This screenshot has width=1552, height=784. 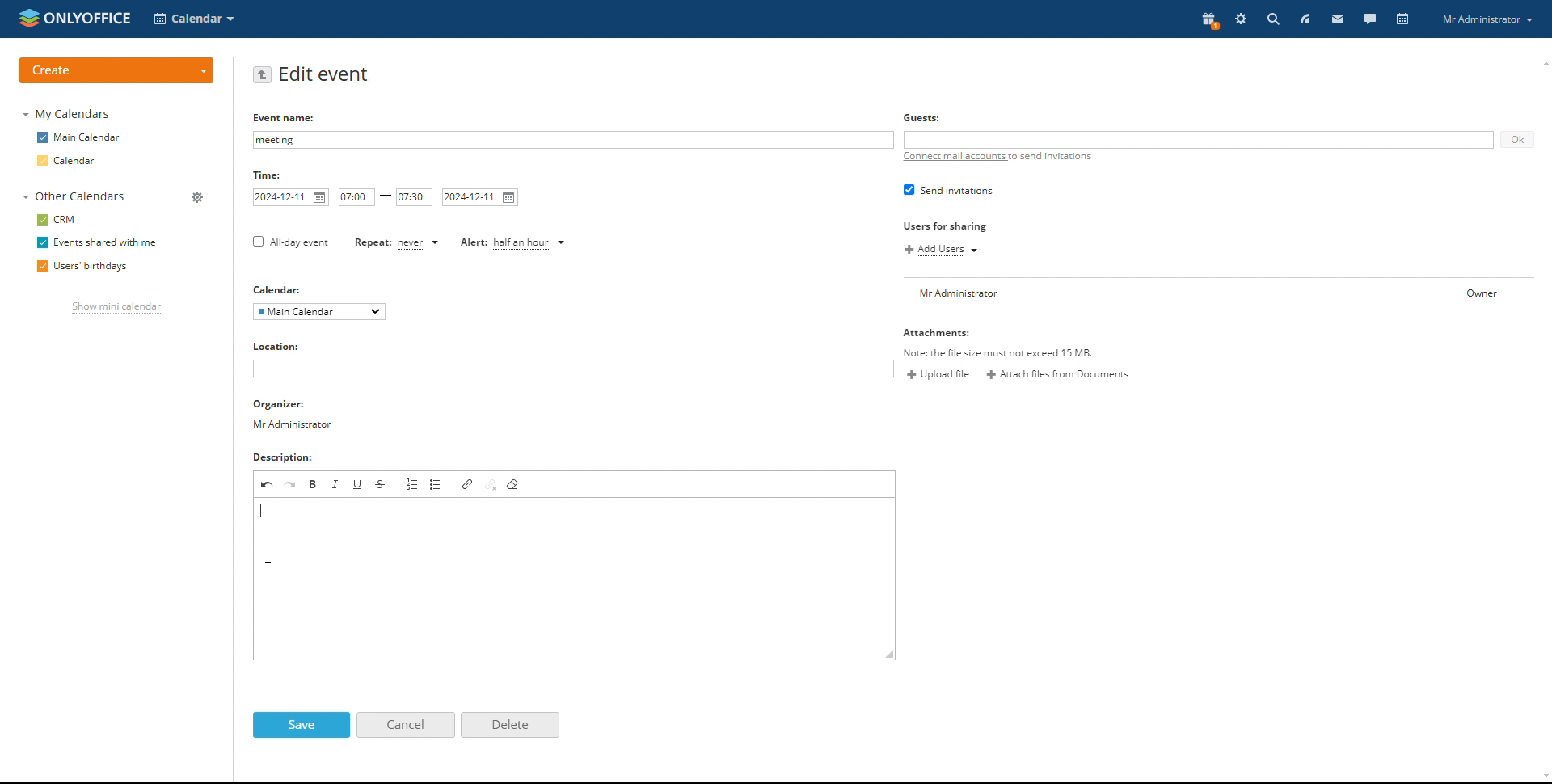 I want to click on users' birthdays, so click(x=82, y=268).